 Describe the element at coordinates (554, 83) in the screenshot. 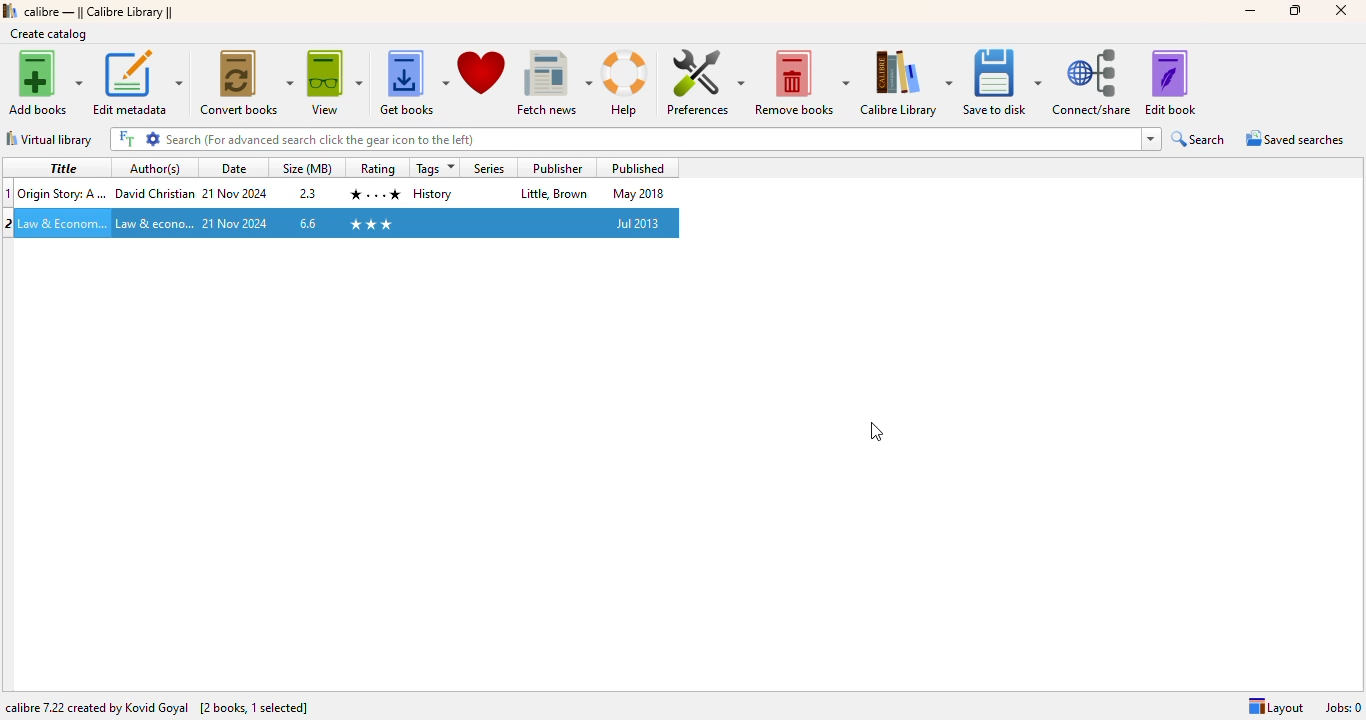

I see `fetch news` at that location.